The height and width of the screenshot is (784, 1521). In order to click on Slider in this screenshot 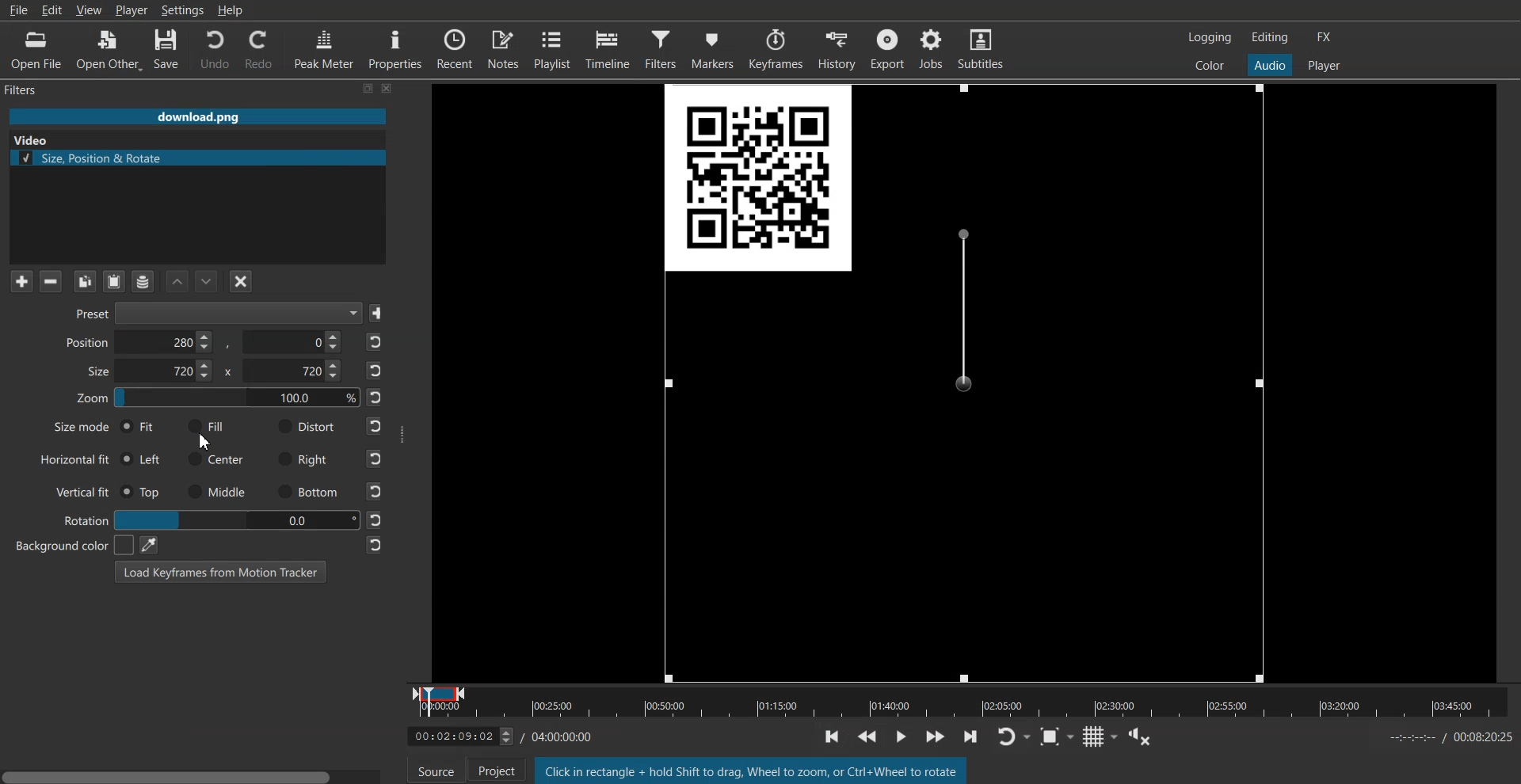, I will do `click(963, 712)`.